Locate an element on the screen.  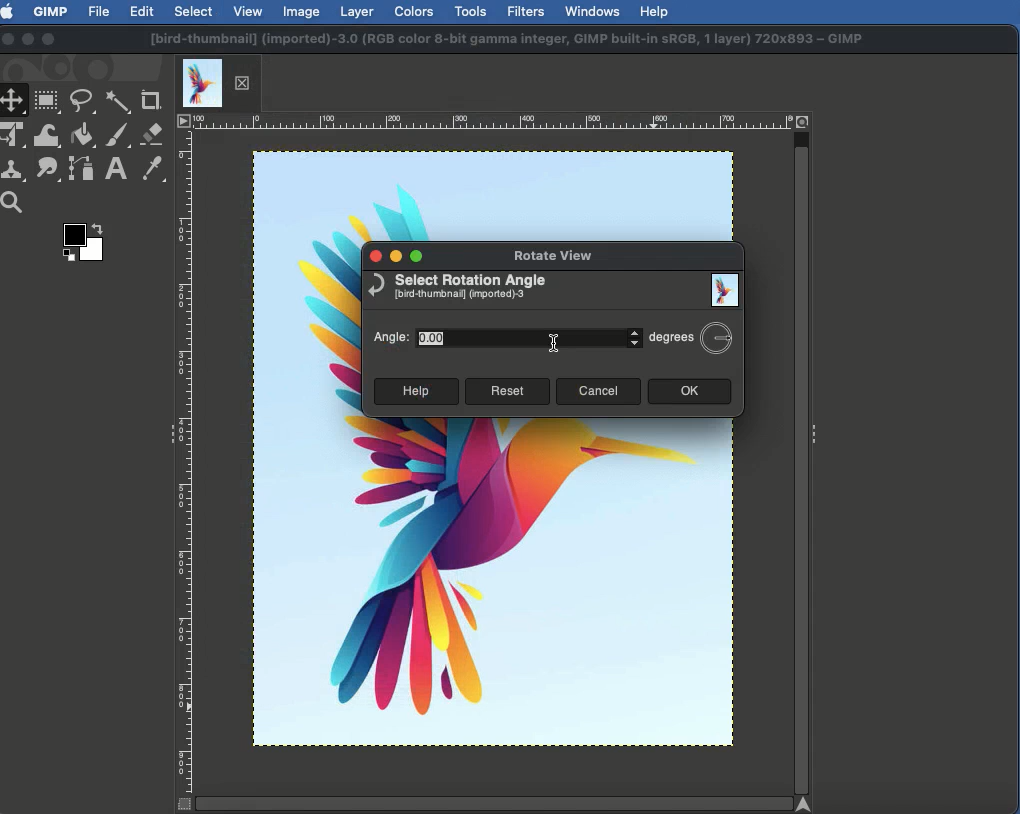
horizontal Scrollbar is located at coordinates (492, 802).